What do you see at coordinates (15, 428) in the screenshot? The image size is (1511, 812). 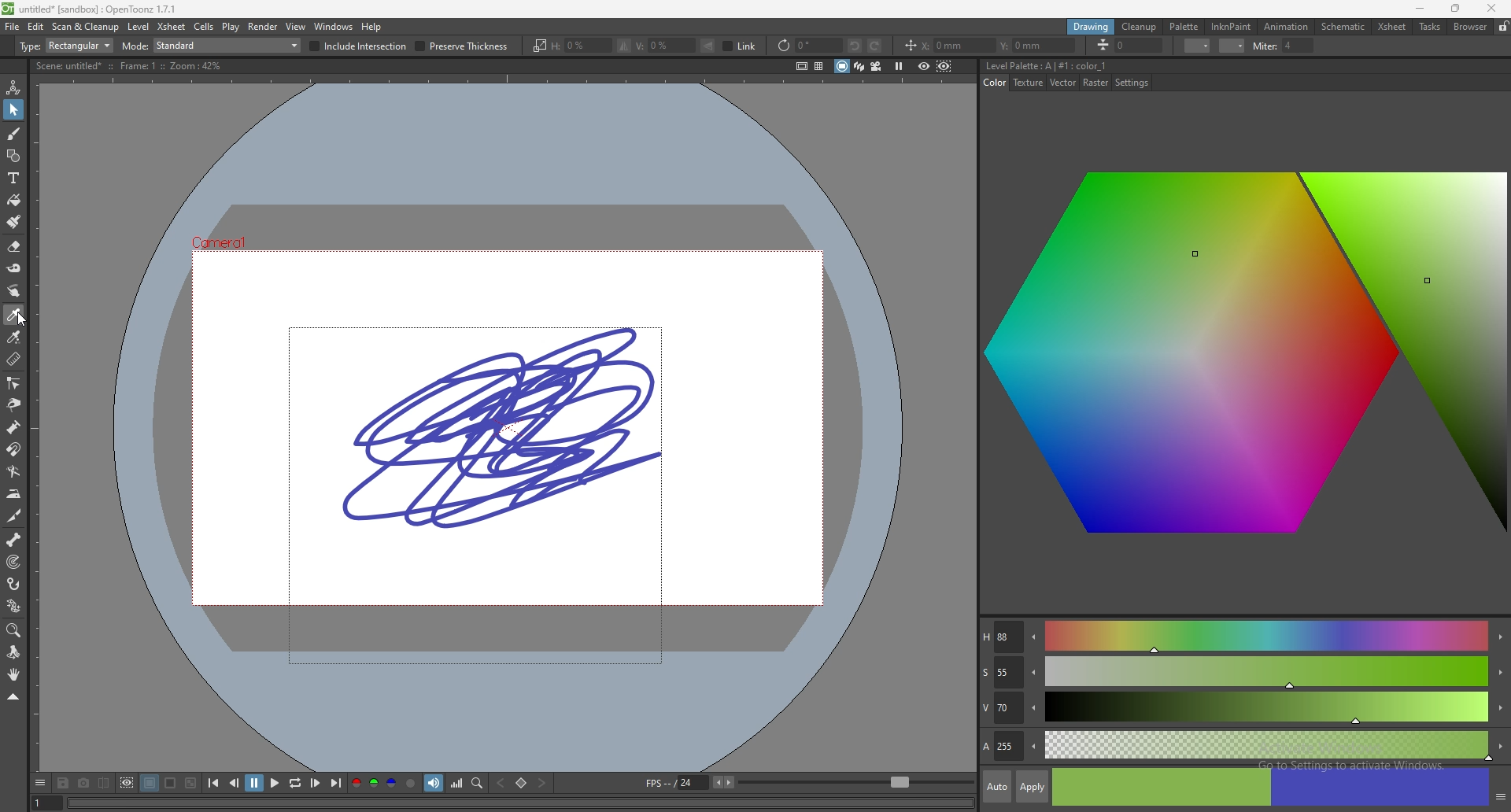 I see `pump tool` at bounding box center [15, 428].